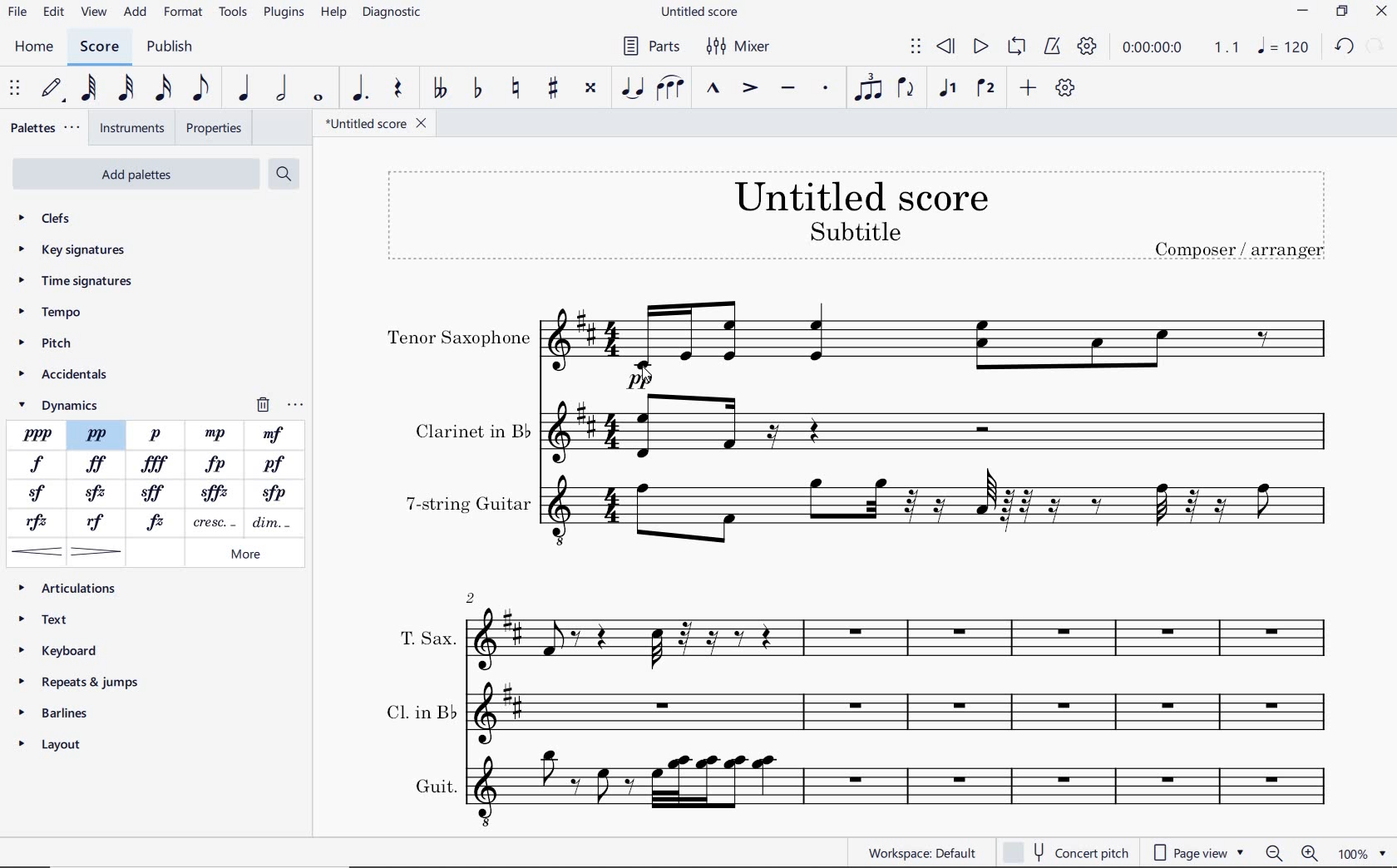  I want to click on MP (MEZZO-PIANO), so click(217, 434).